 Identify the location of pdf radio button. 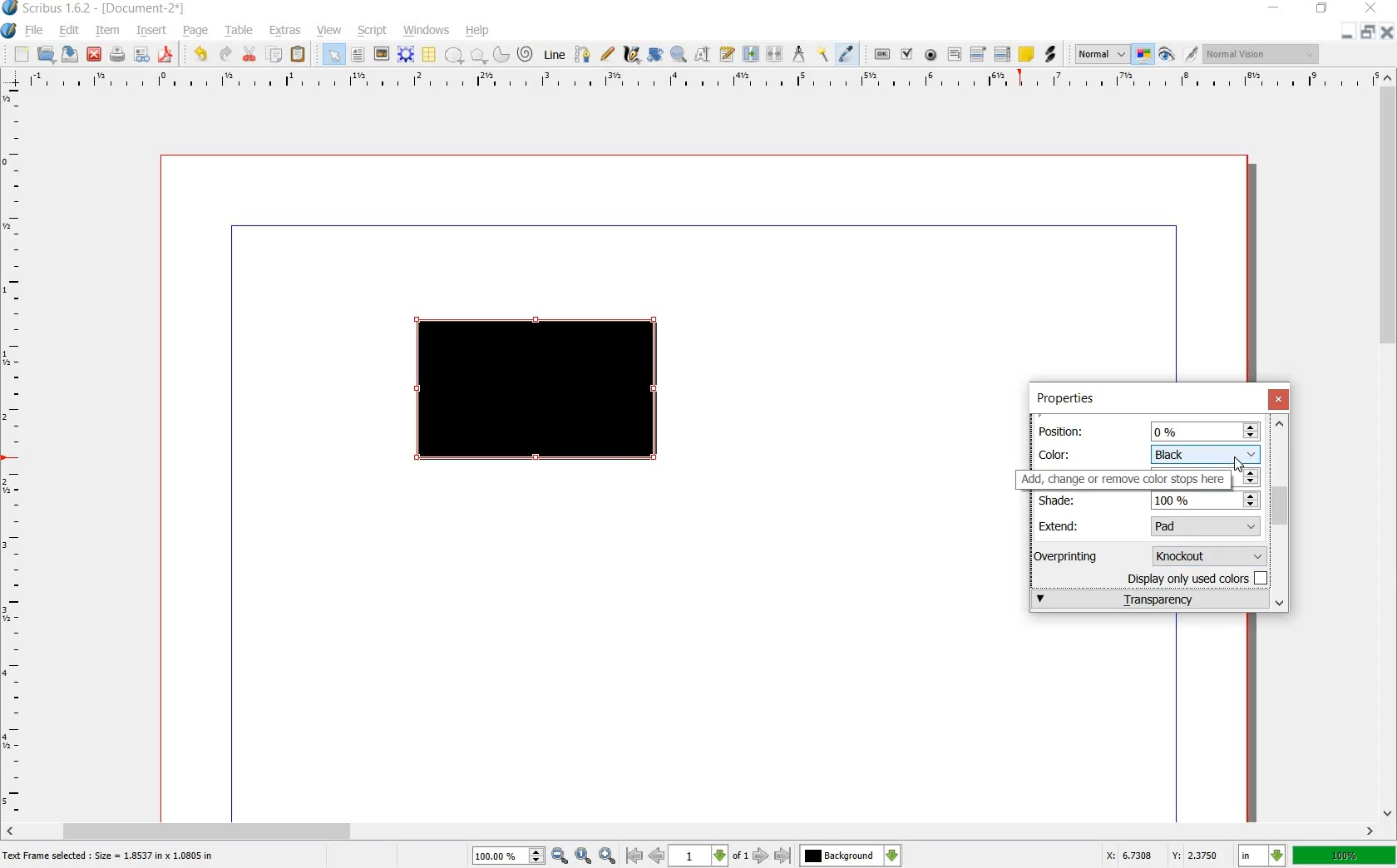
(931, 55).